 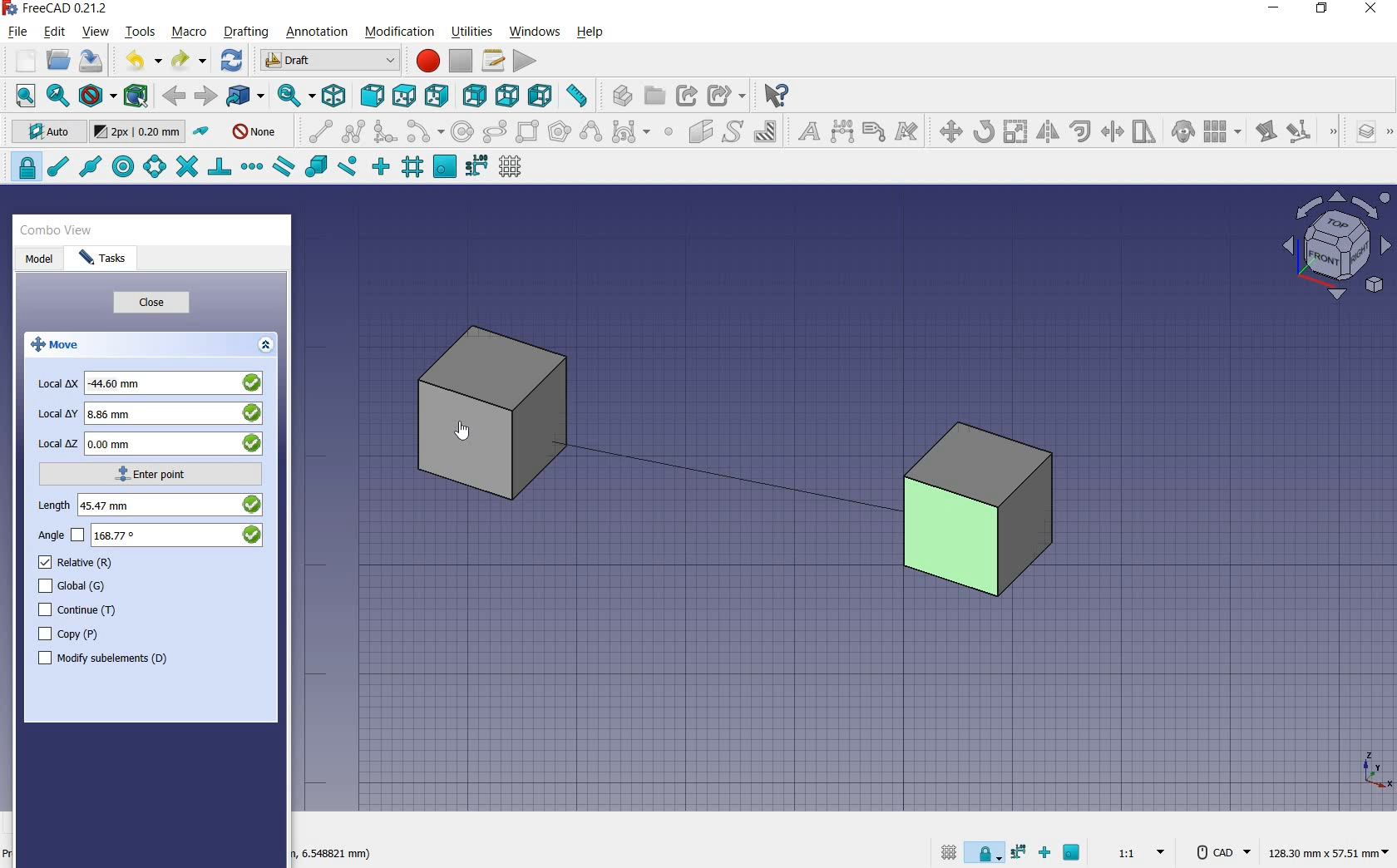 What do you see at coordinates (105, 257) in the screenshot?
I see `tasks` at bounding box center [105, 257].